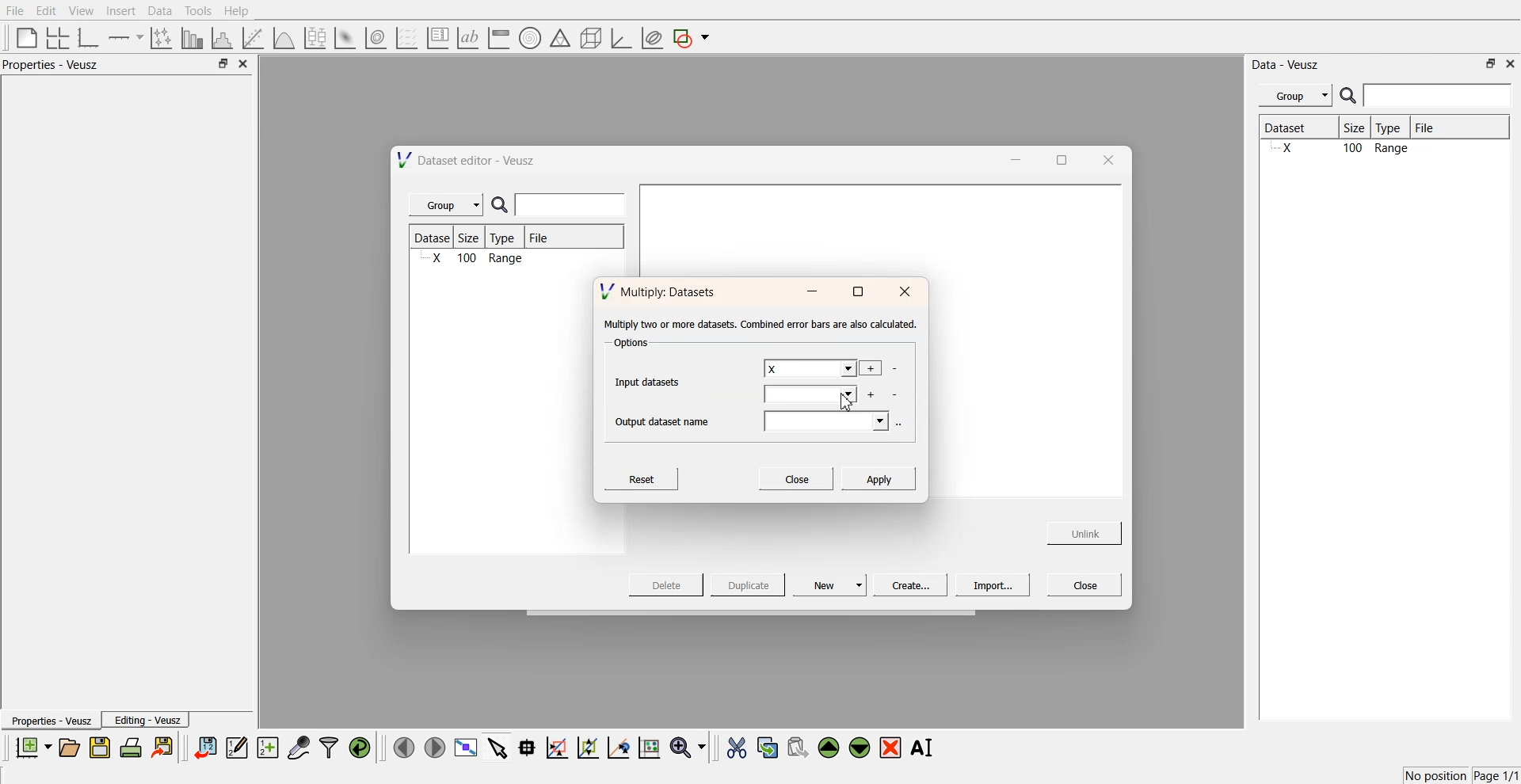 The width and height of the screenshot is (1521, 784). What do you see at coordinates (796, 747) in the screenshot?
I see `paste the selected widgets` at bounding box center [796, 747].